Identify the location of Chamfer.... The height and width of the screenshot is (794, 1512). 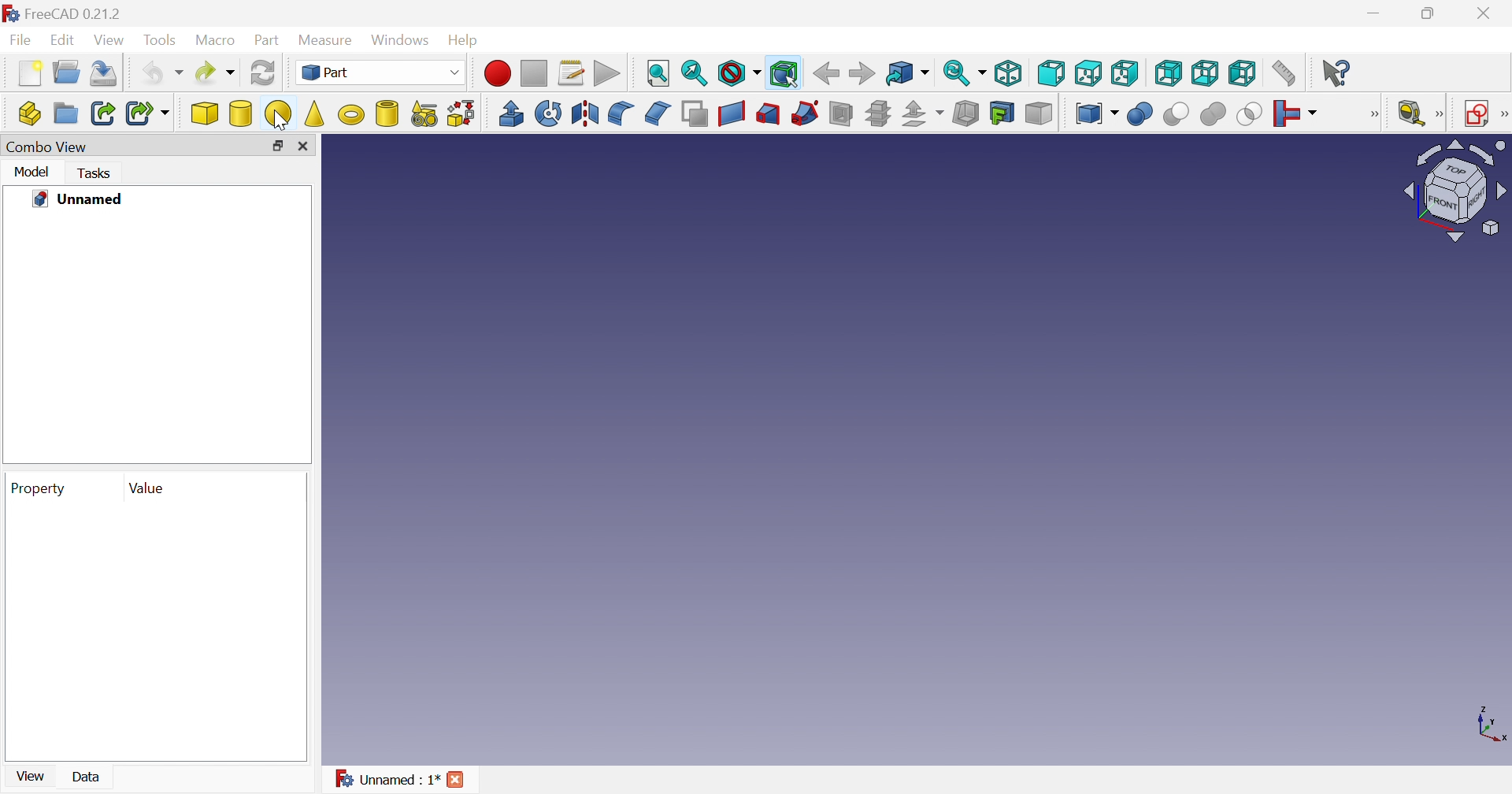
(659, 113).